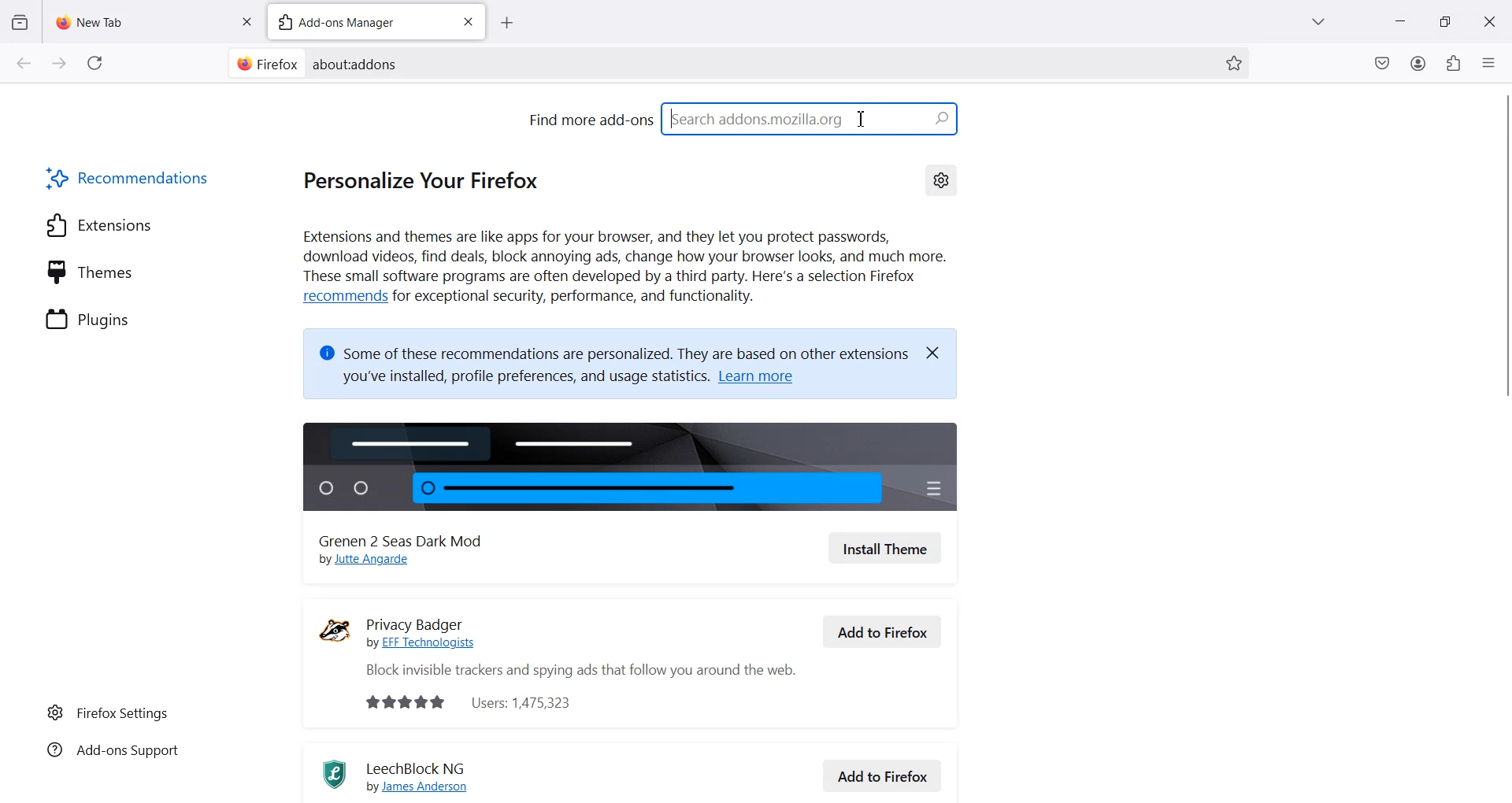  What do you see at coordinates (571, 671) in the screenshot?
I see `Block invisible trackers and spying ads that follow you around the web.` at bounding box center [571, 671].